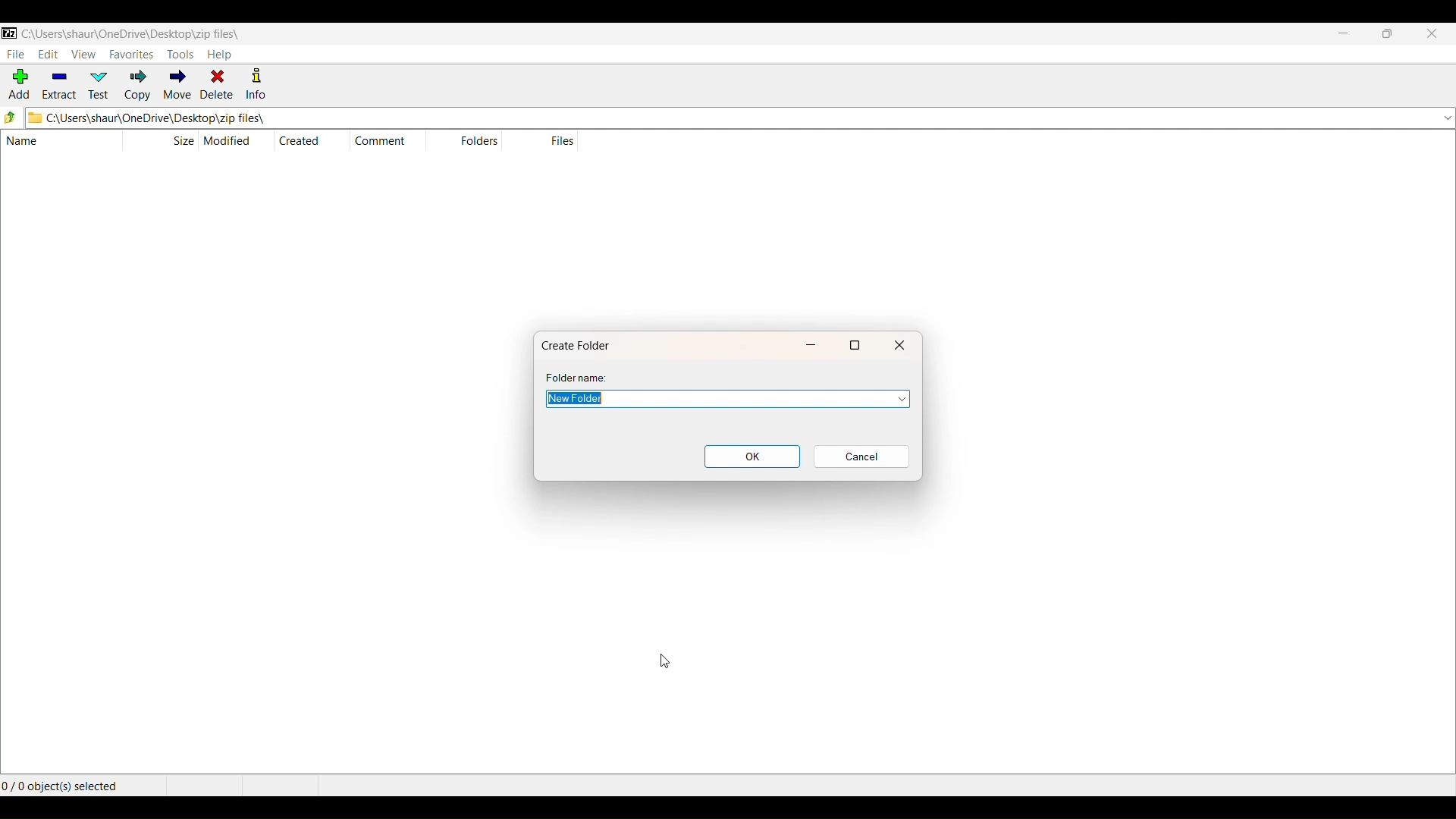 Image resolution: width=1456 pixels, height=819 pixels. Describe the element at coordinates (138, 86) in the screenshot. I see `COPY` at that location.